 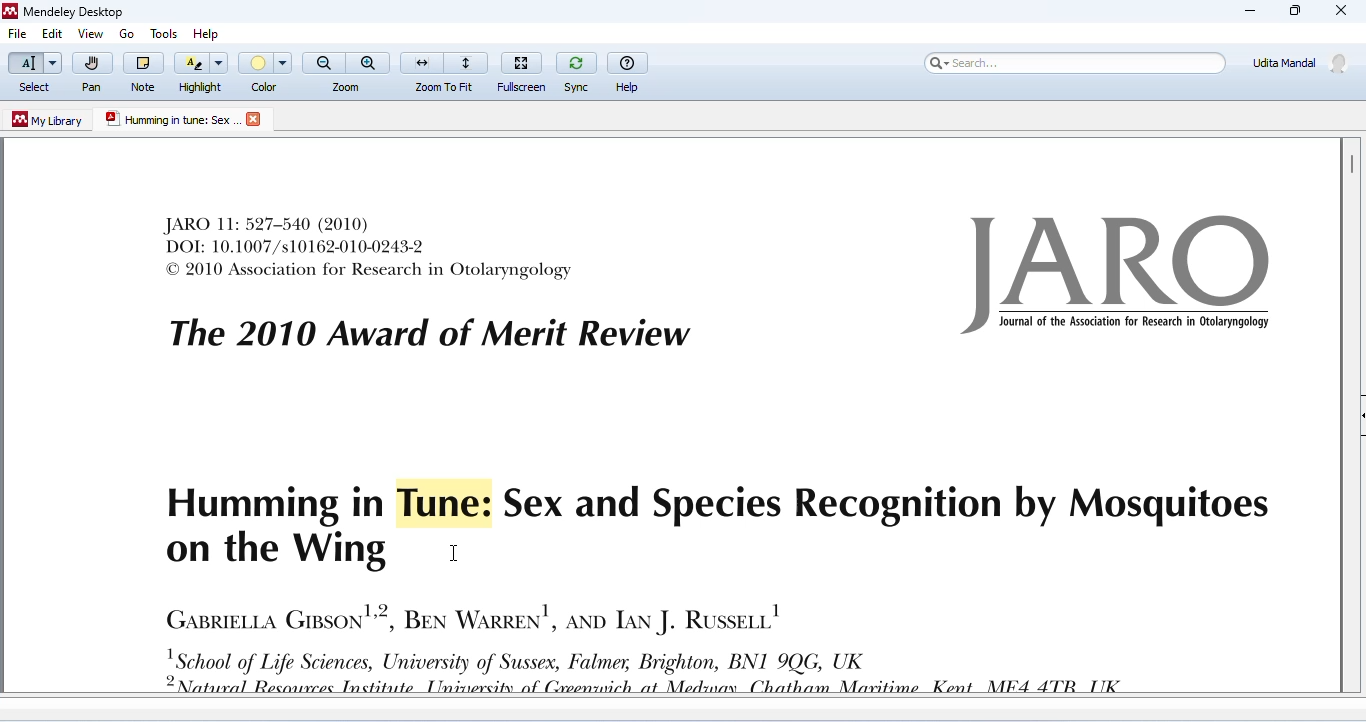 I want to click on vertical scroll bar, so click(x=1350, y=163).